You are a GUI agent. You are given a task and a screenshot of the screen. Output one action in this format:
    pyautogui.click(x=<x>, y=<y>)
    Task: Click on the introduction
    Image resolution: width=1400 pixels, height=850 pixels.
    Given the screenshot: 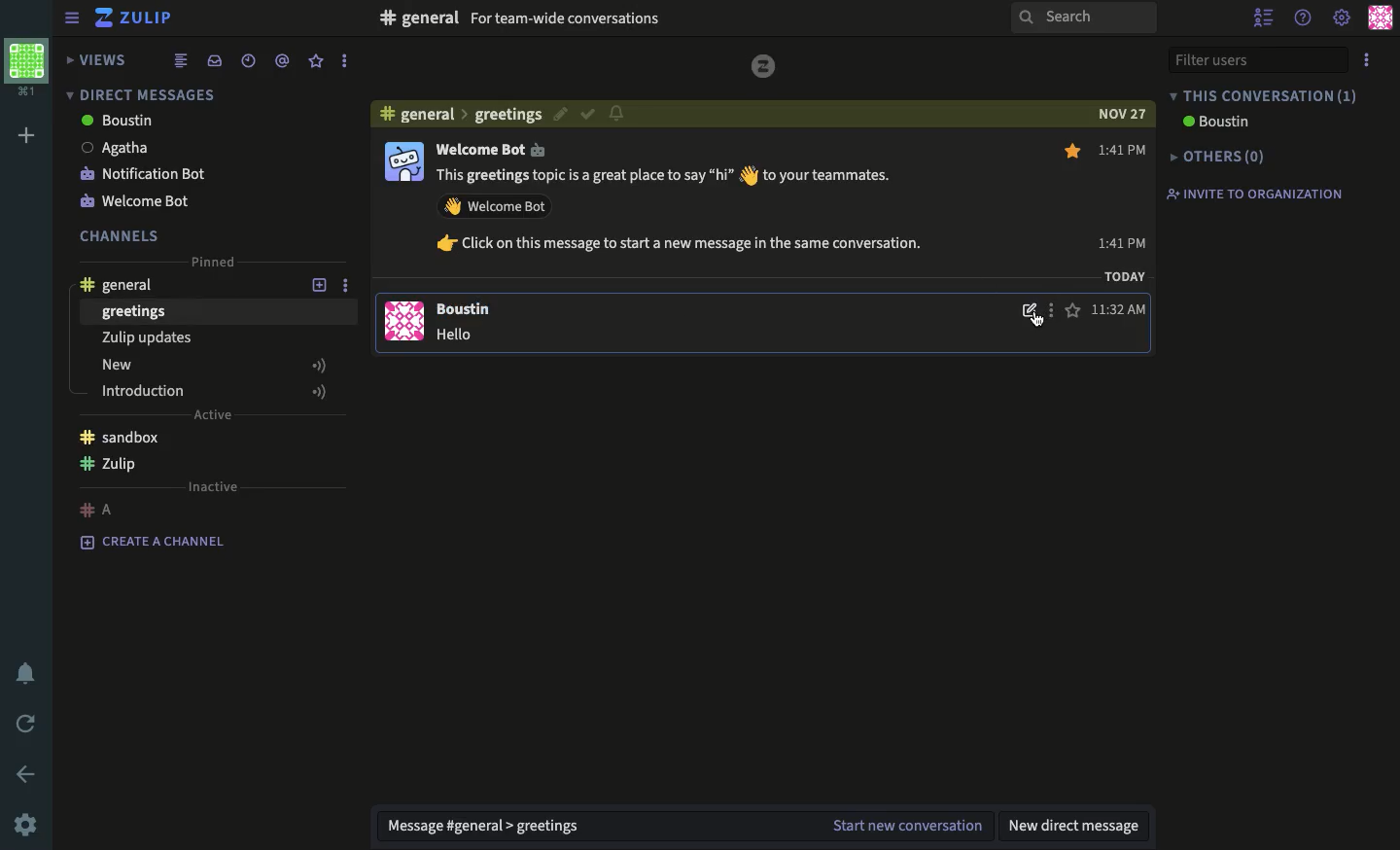 What is the action you would take?
    pyautogui.click(x=216, y=391)
    